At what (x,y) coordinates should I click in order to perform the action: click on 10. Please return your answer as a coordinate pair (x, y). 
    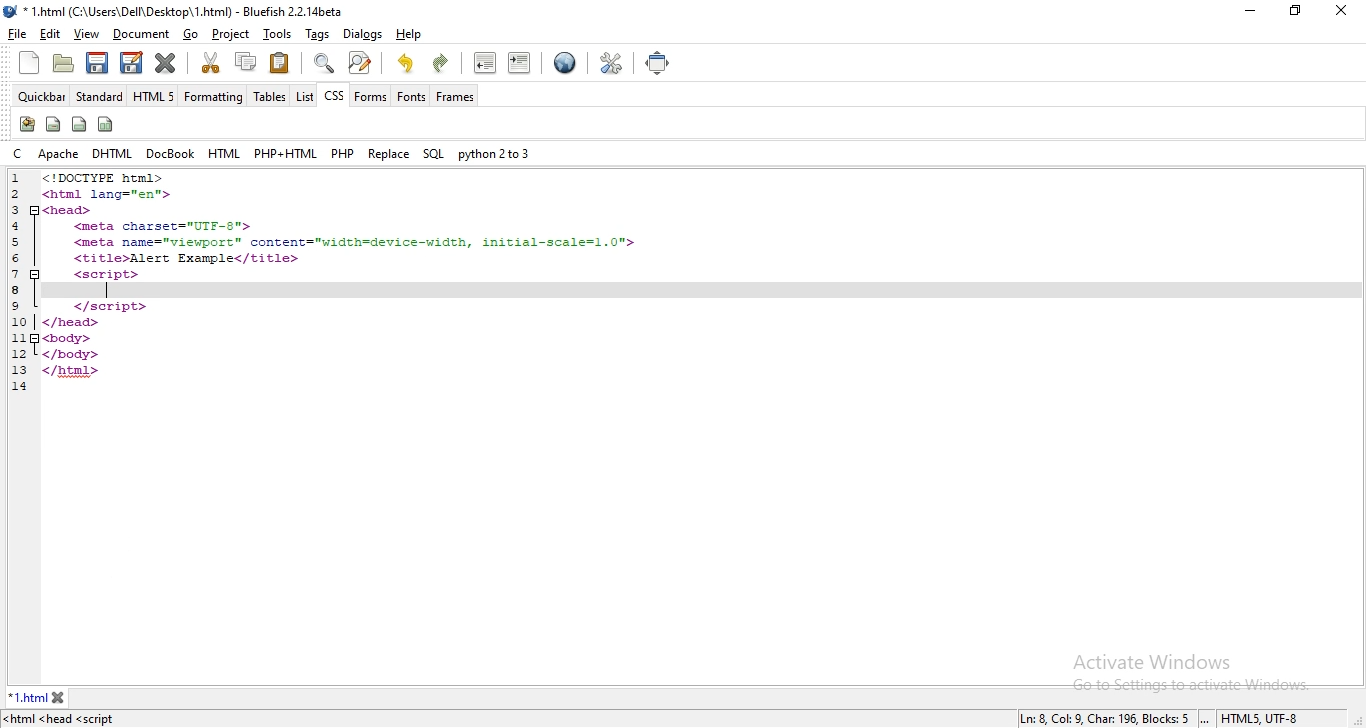
    Looking at the image, I should click on (22, 321).